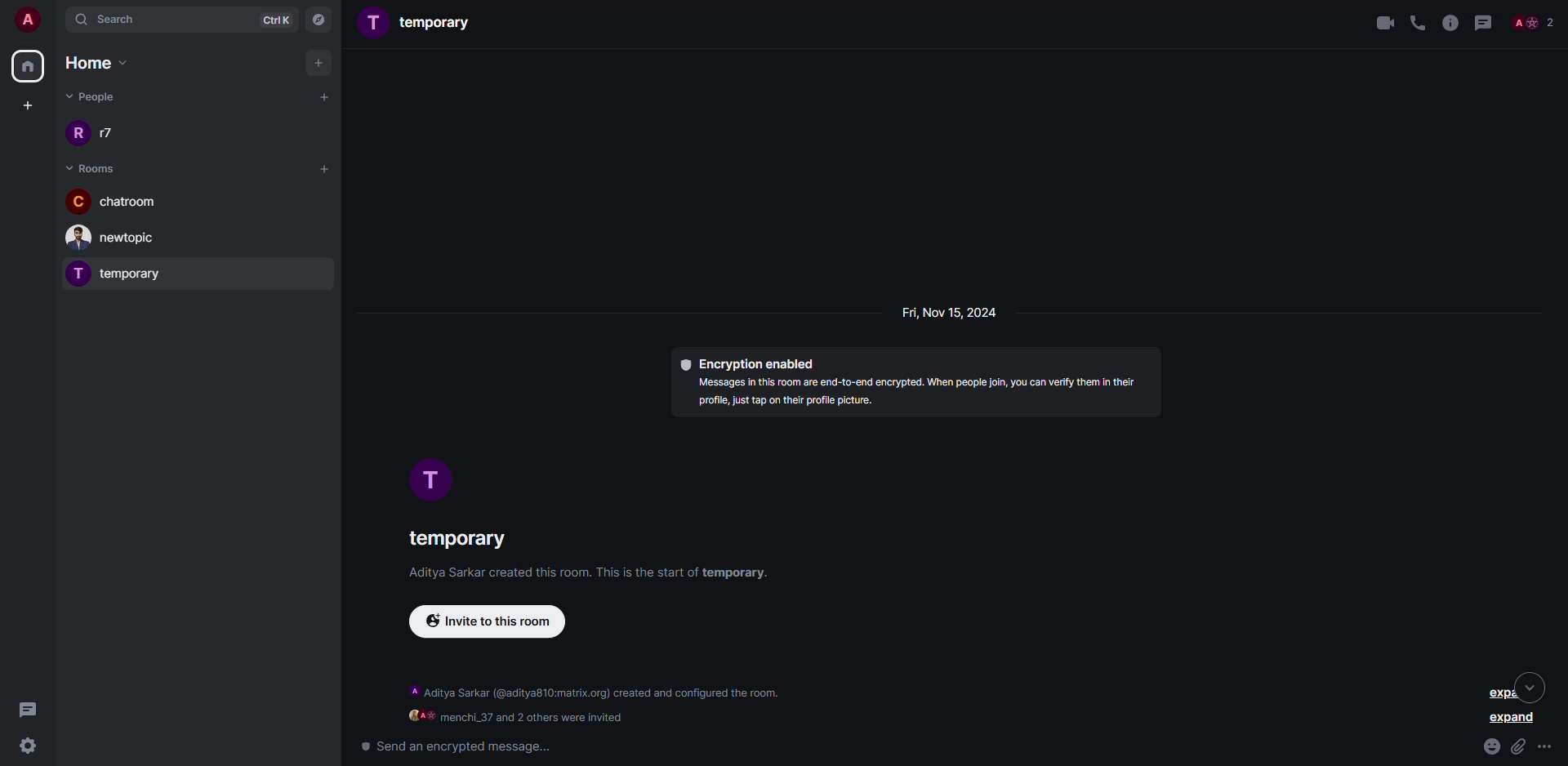 This screenshot has height=766, width=1568. Describe the element at coordinates (434, 482) in the screenshot. I see `profile` at that location.